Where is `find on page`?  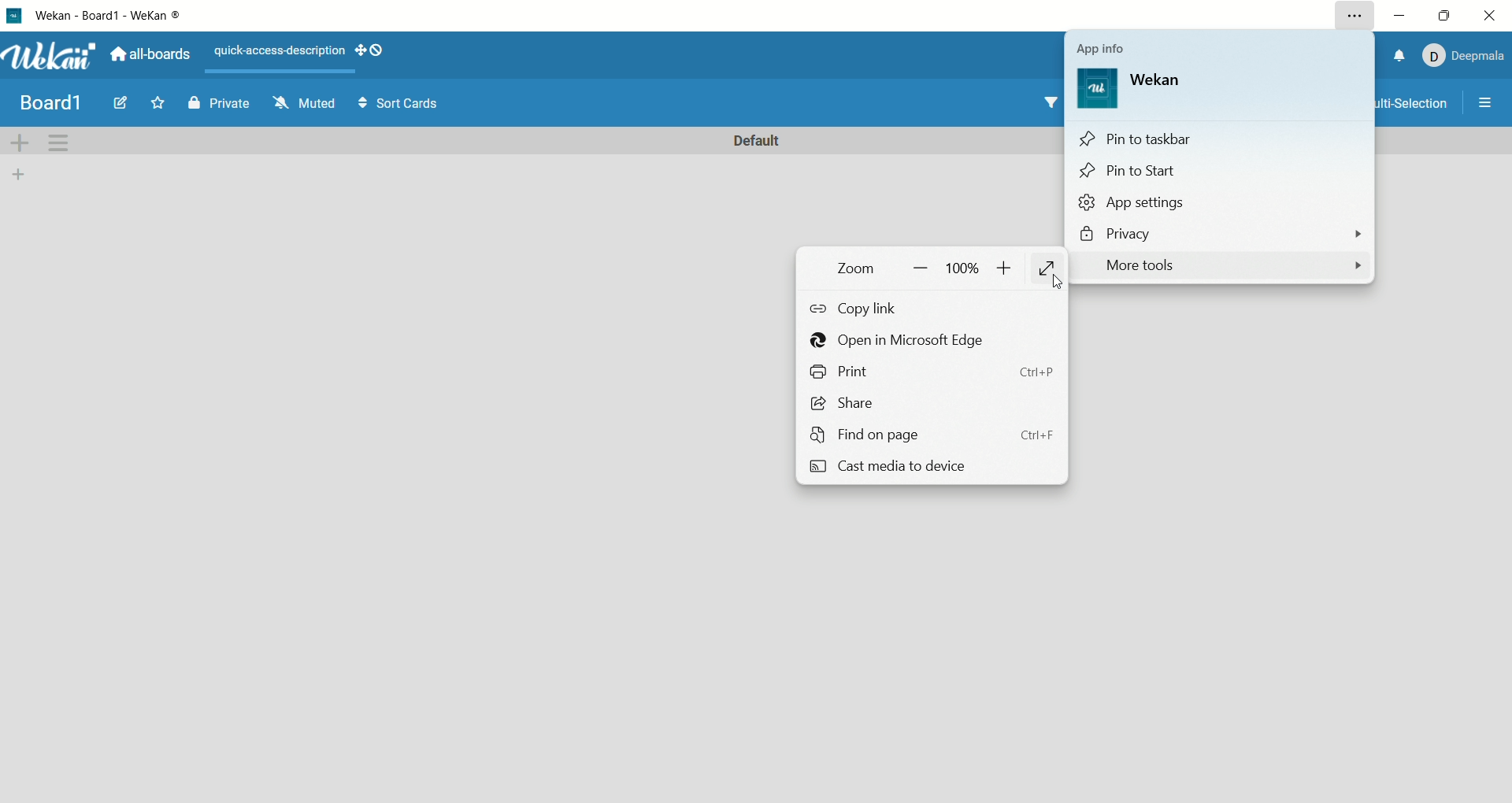 find on page is located at coordinates (942, 435).